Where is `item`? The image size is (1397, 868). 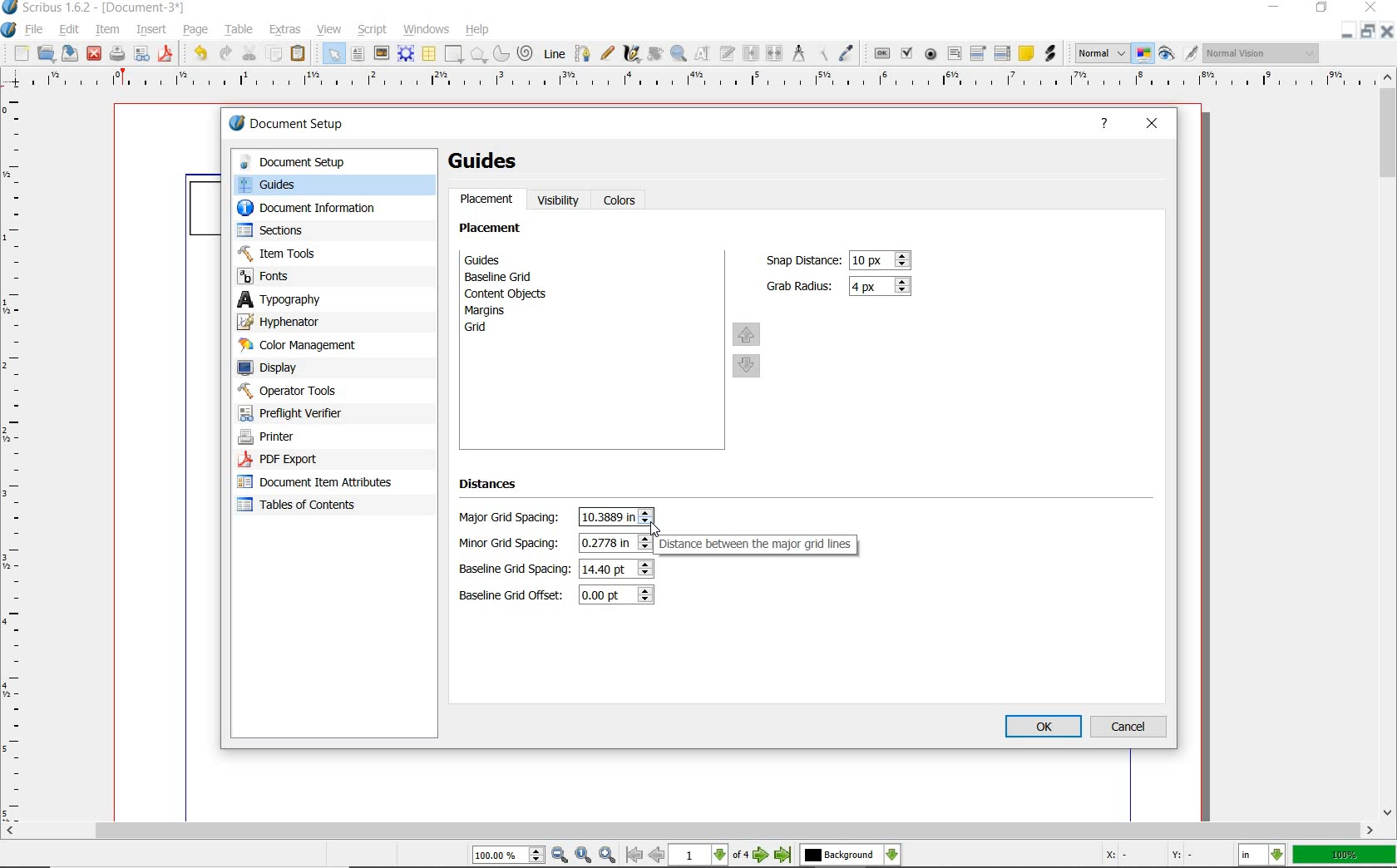
item is located at coordinates (107, 31).